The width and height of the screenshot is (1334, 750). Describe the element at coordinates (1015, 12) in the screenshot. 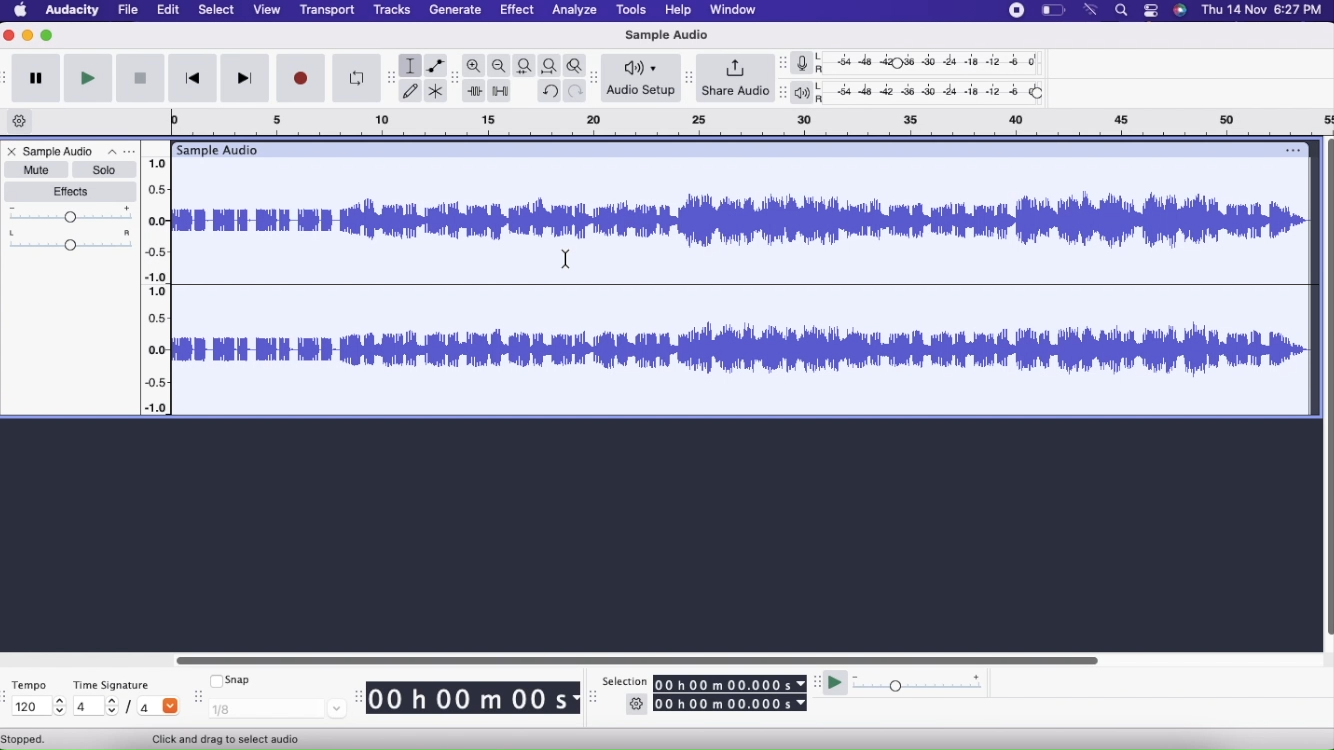

I see `Record` at that location.